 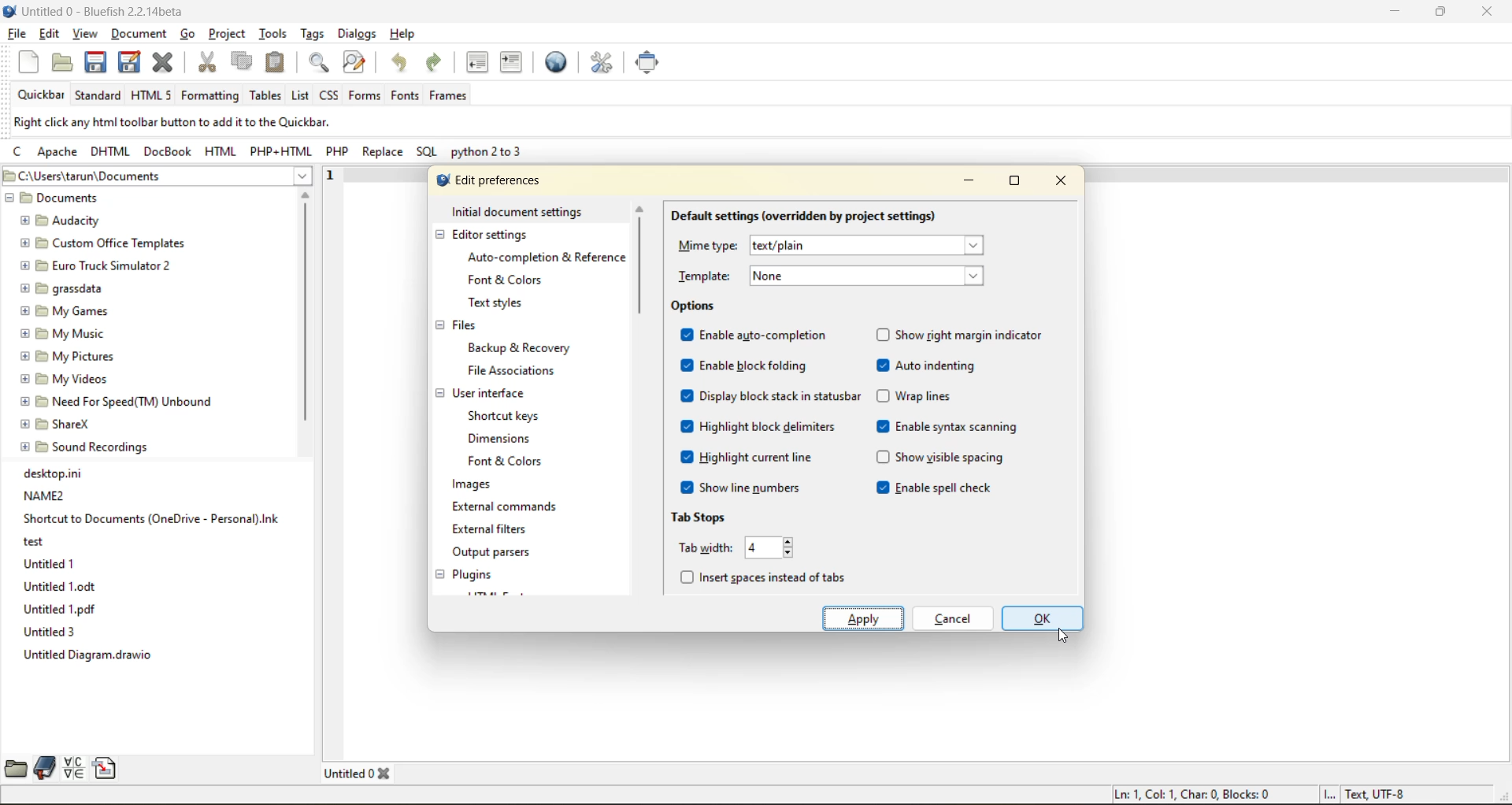 What do you see at coordinates (69, 355) in the screenshot?
I see `# B My Pictures` at bounding box center [69, 355].